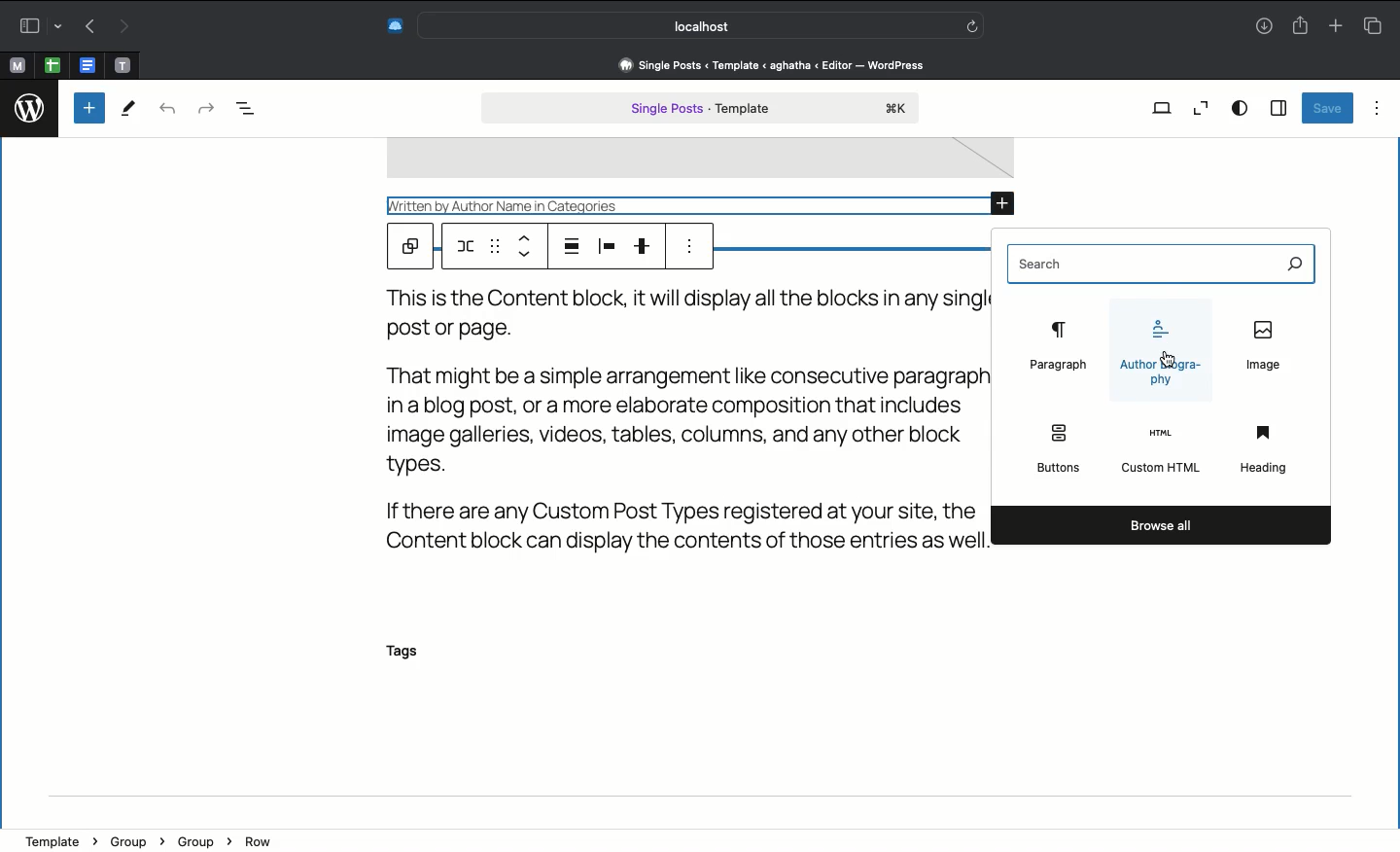  I want to click on Align, so click(569, 246).